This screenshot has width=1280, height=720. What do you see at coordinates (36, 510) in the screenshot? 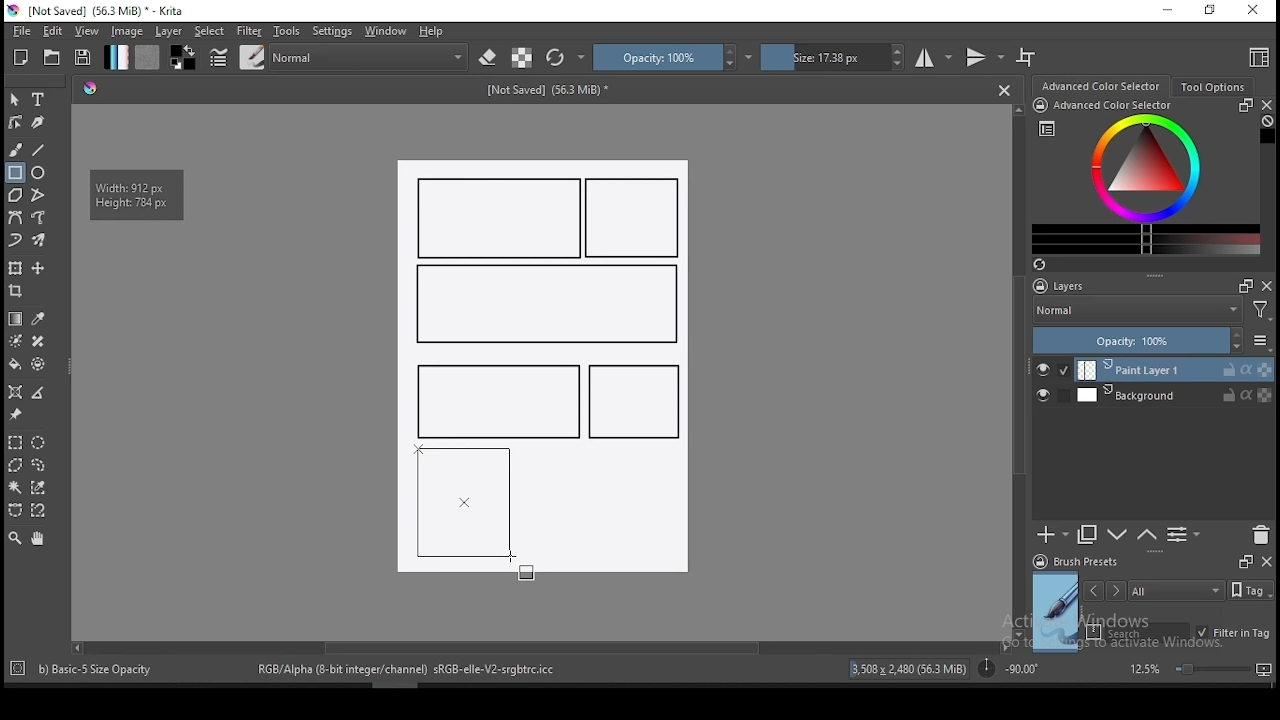
I see `magnetic curve selection tool` at bounding box center [36, 510].